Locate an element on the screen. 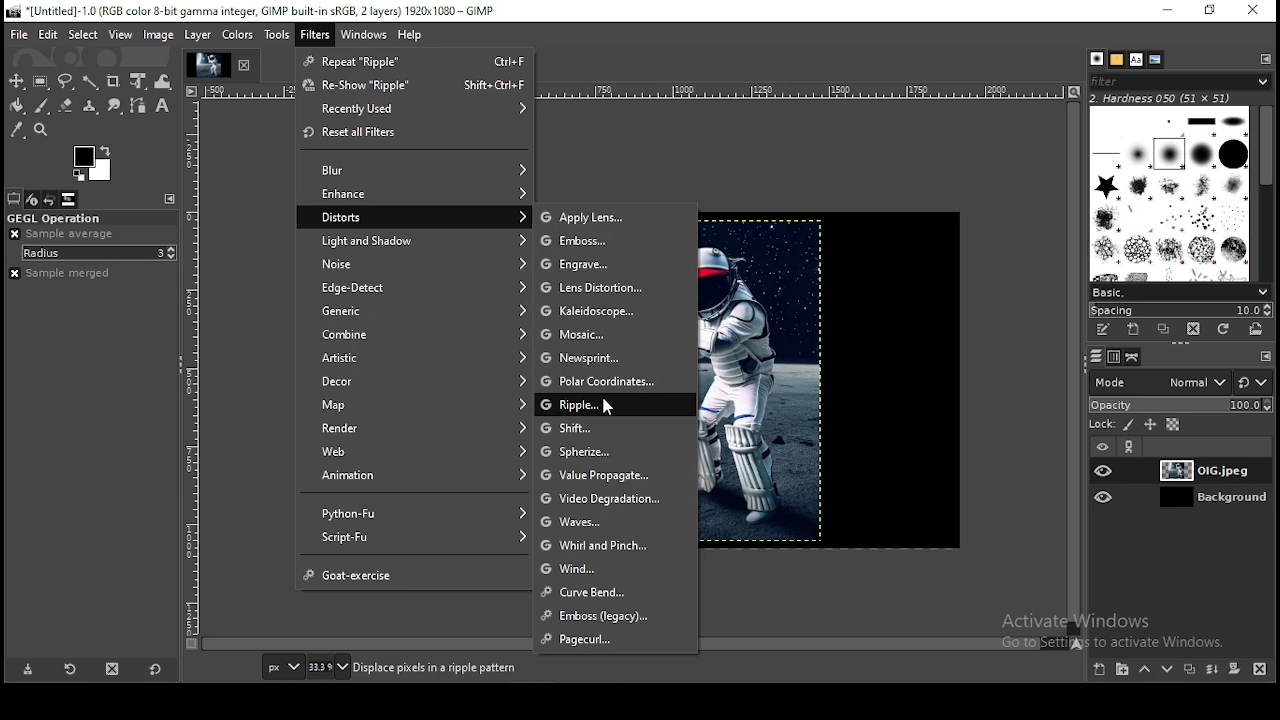  elect is located at coordinates (83, 34).